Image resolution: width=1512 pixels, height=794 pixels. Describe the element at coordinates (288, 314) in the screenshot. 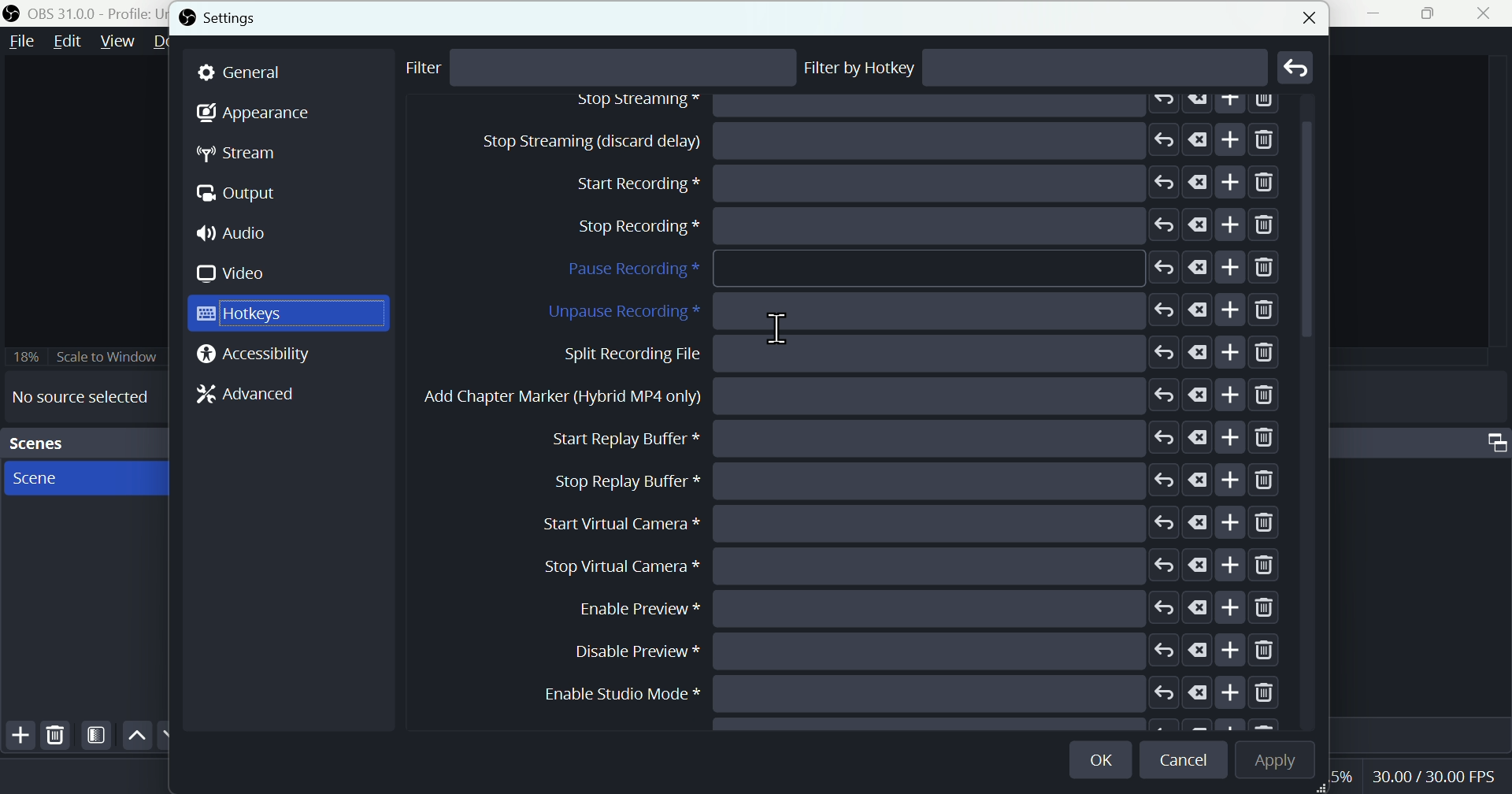

I see `Hot keys` at that location.